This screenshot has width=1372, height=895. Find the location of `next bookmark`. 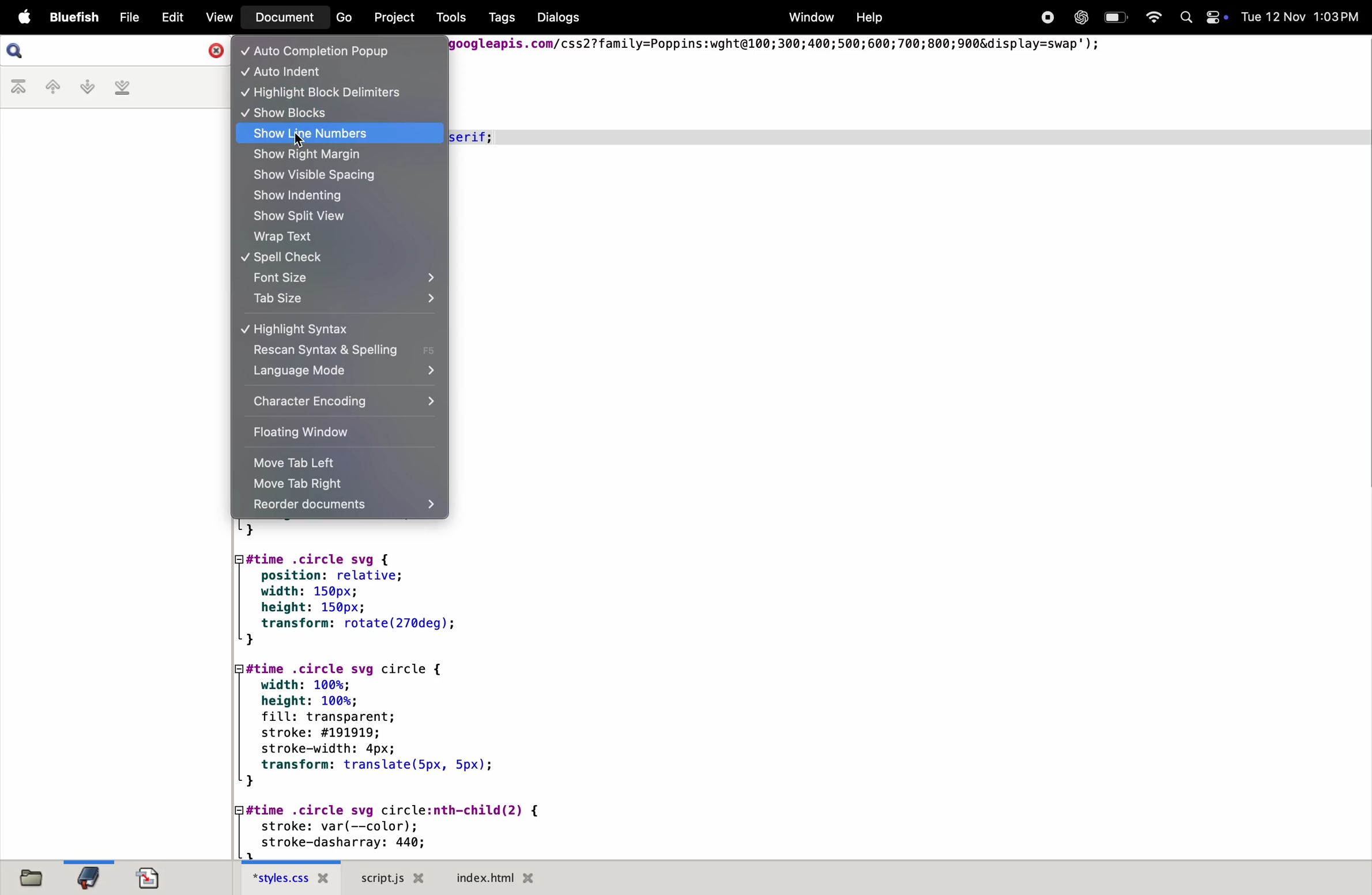

next bookmark is located at coordinates (87, 86).